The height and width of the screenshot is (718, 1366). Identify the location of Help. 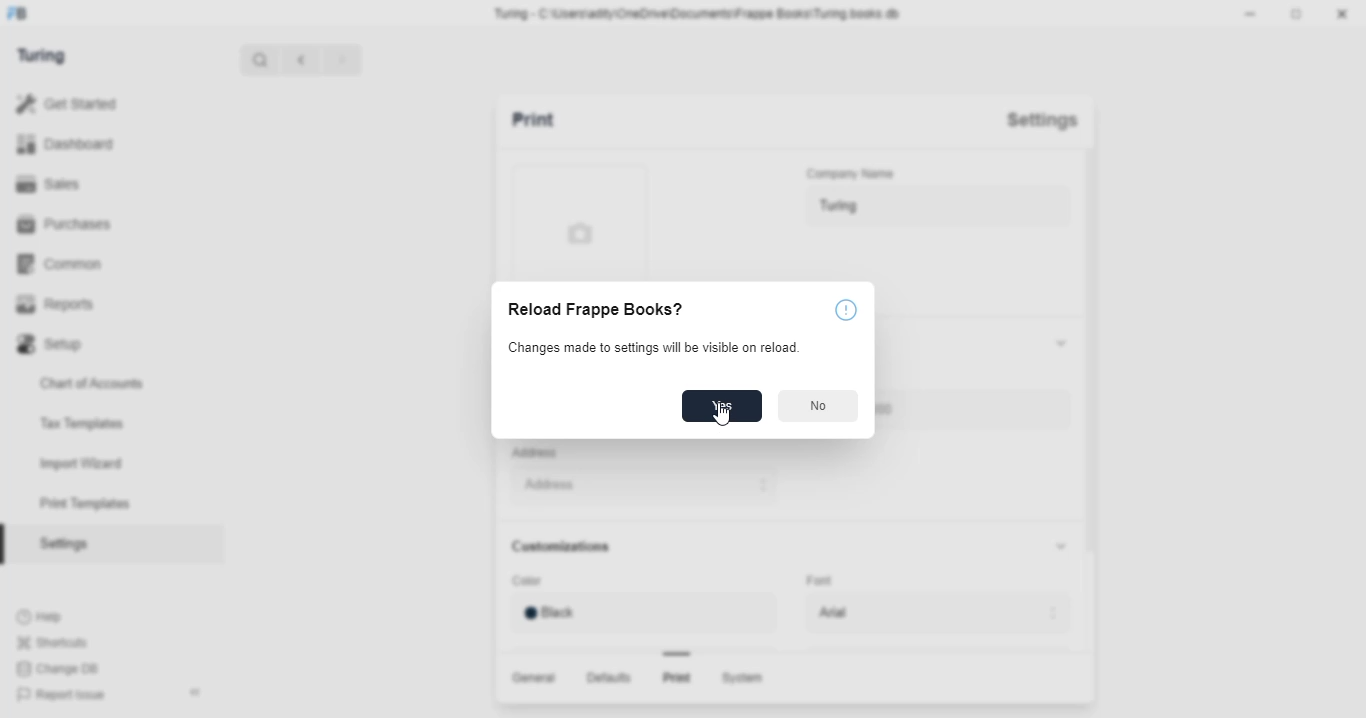
(54, 616).